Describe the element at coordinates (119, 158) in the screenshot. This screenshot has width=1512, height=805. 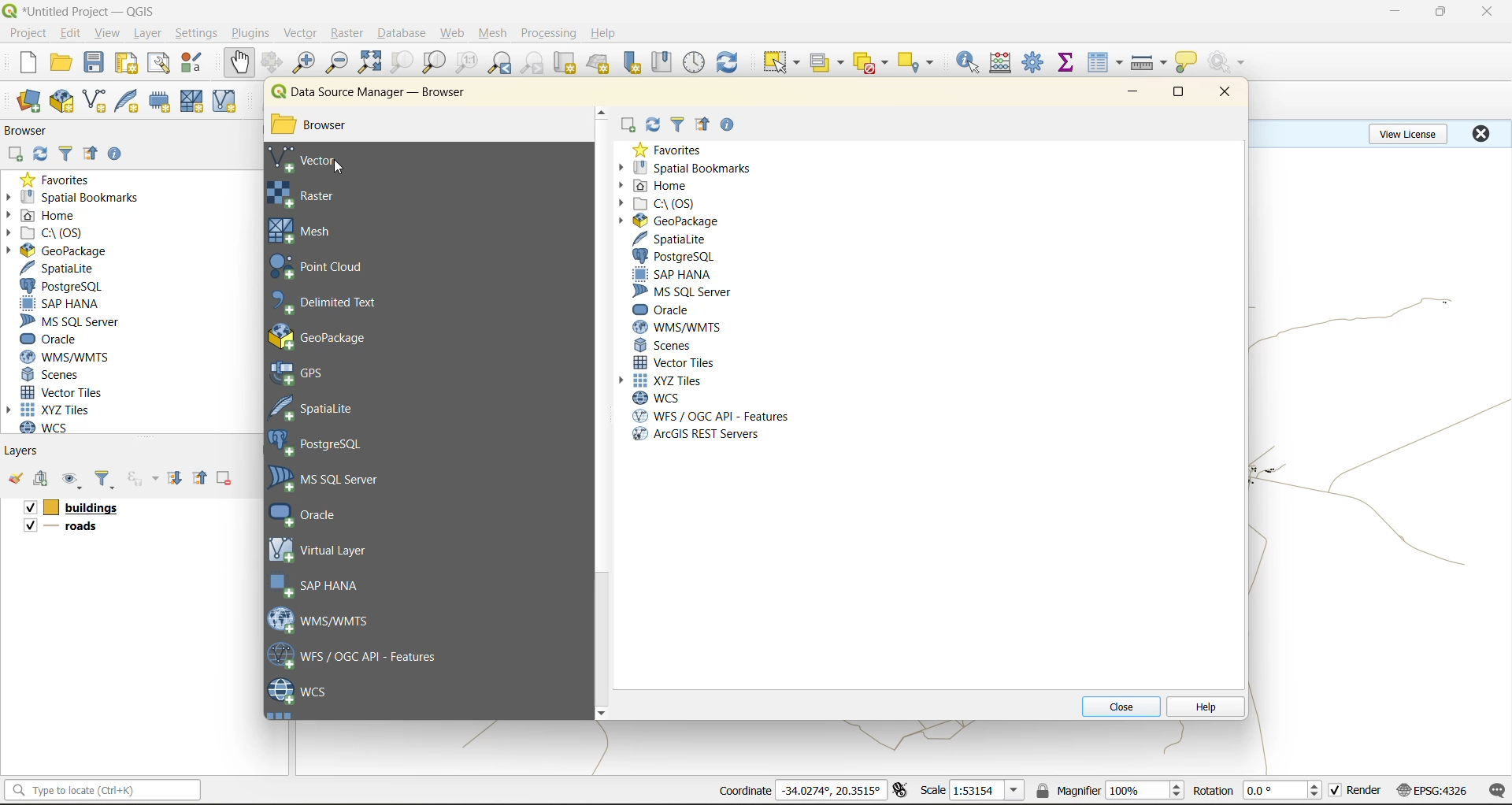
I see `enable/disable properties` at that location.